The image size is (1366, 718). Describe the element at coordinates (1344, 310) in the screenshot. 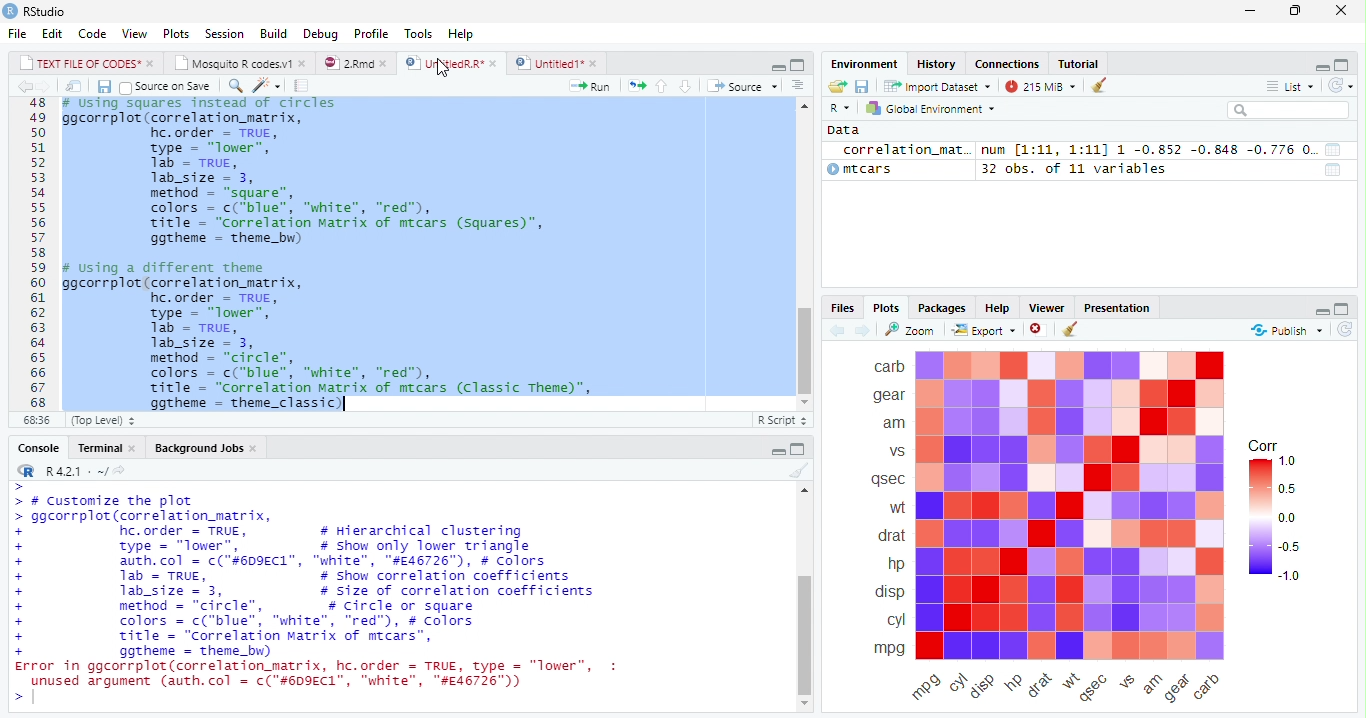

I see `hide console` at that location.